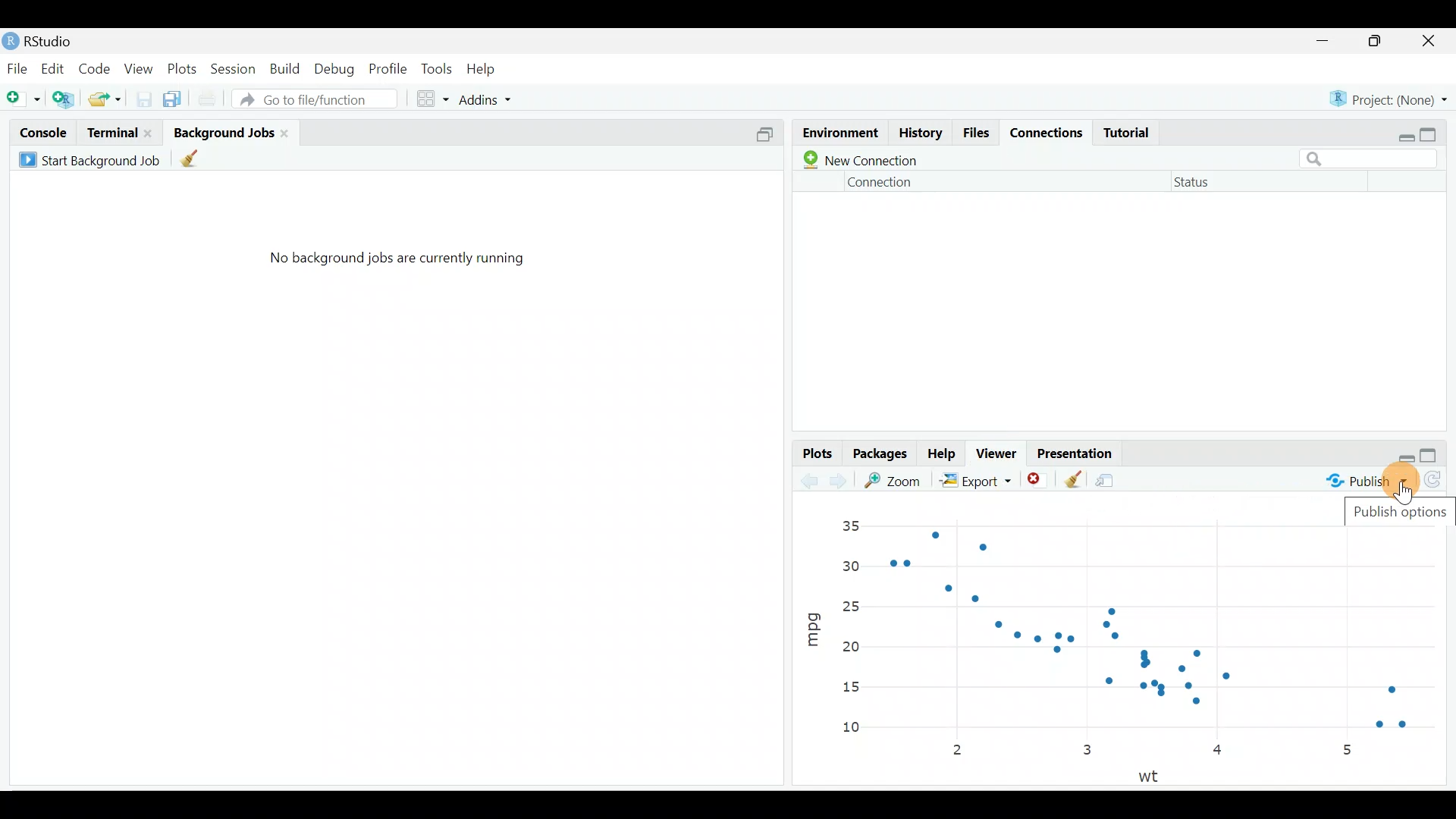 This screenshot has width=1456, height=819. Describe the element at coordinates (488, 67) in the screenshot. I see `Help` at that location.